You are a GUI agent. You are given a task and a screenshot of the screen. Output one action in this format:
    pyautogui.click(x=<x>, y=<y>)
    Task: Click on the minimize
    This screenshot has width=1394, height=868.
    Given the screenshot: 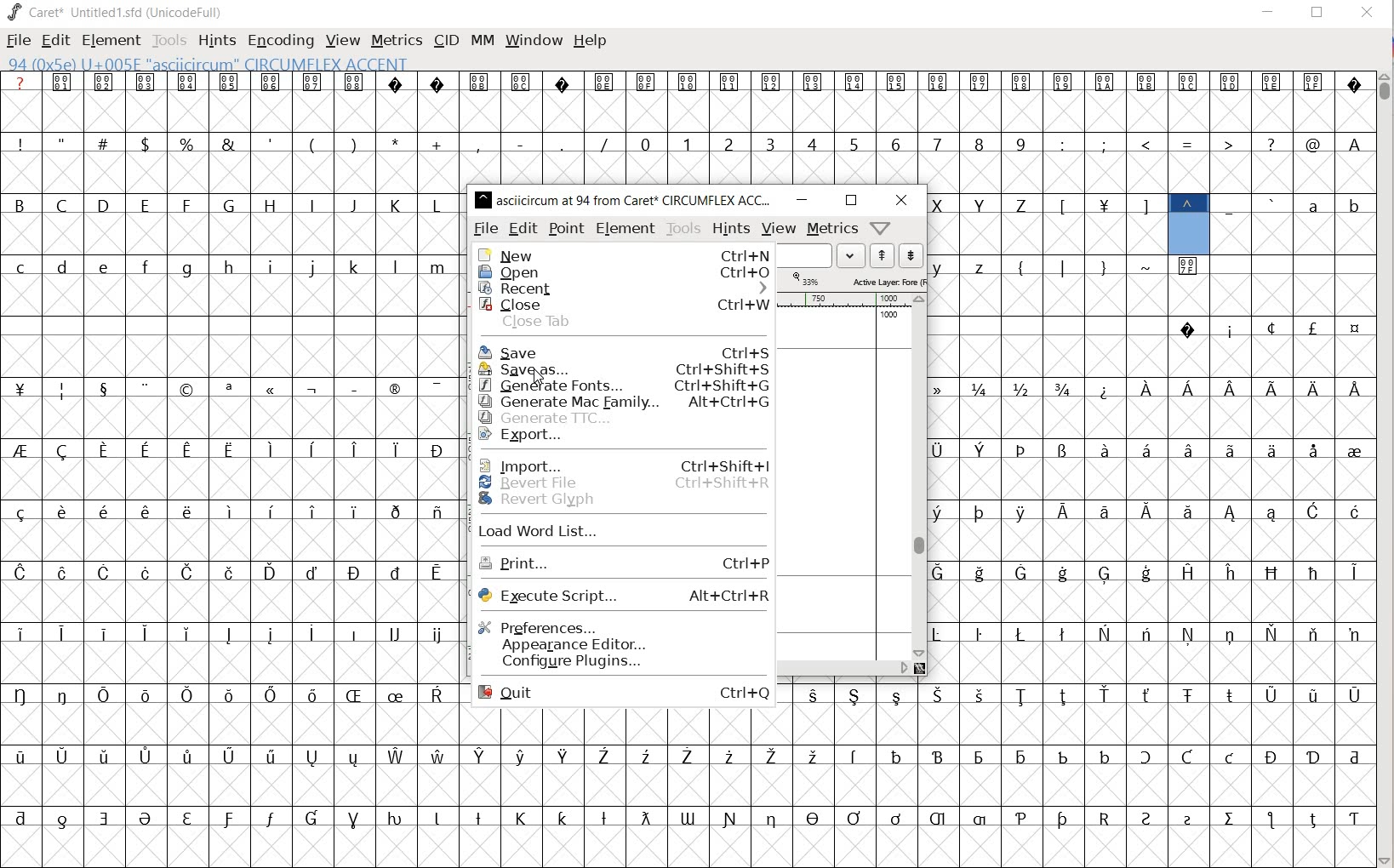 What is the action you would take?
    pyautogui.click(x=803, y=200)
    